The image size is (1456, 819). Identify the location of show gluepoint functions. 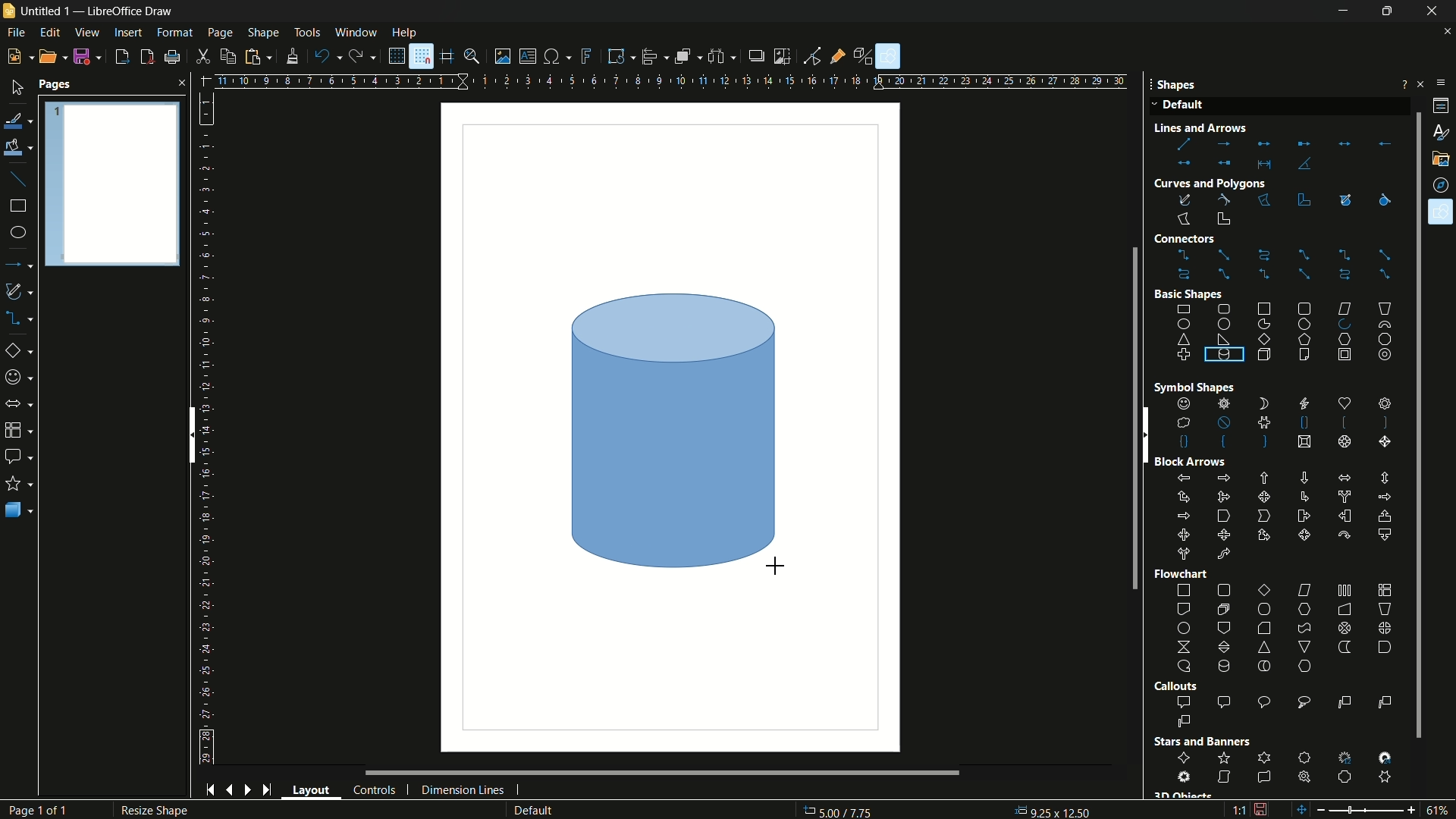
(839, 55).